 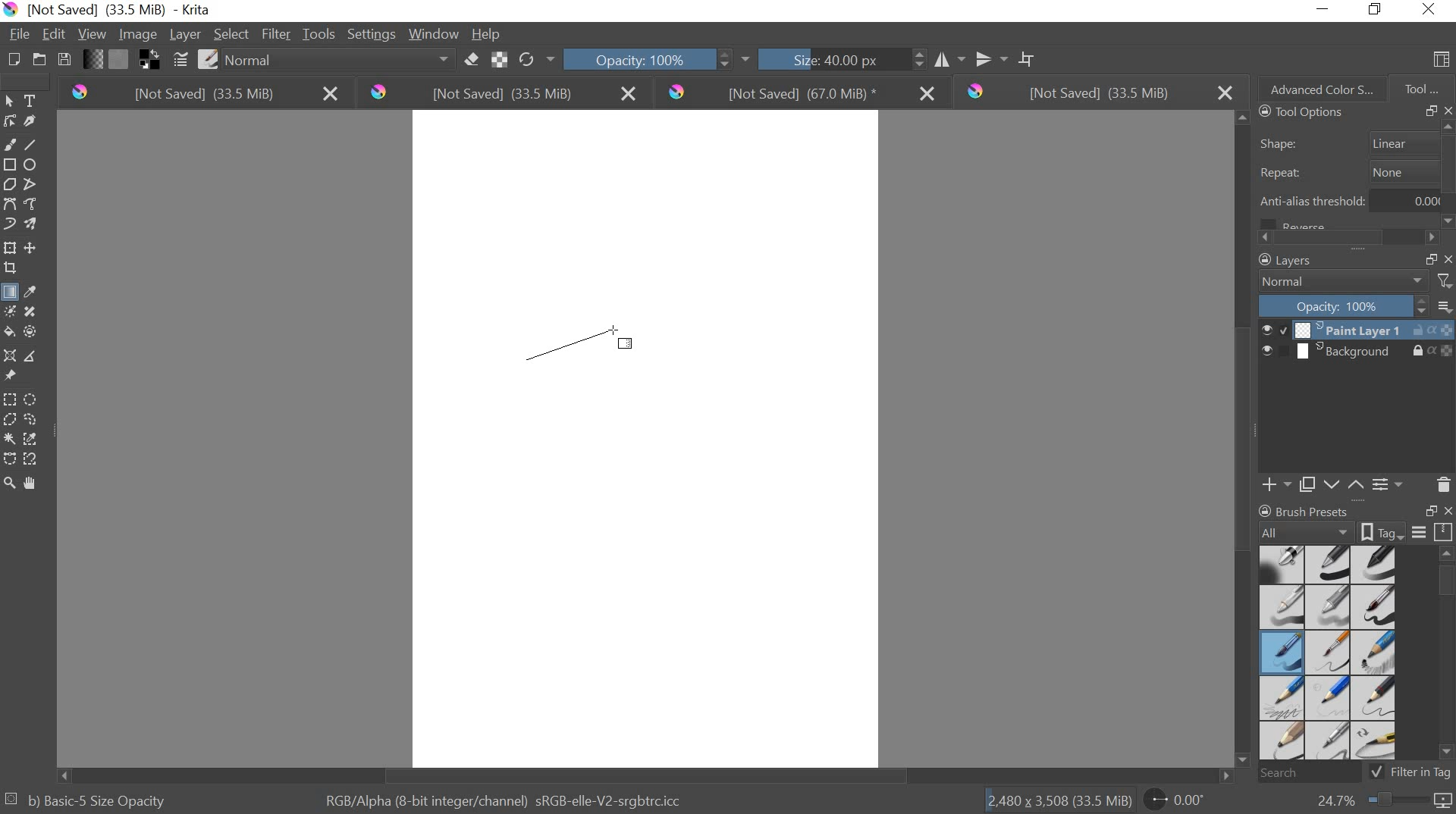 I want to click on 2.480 x 3.508 (33.5 mb) 0.00, so click(x=1098, y=797).